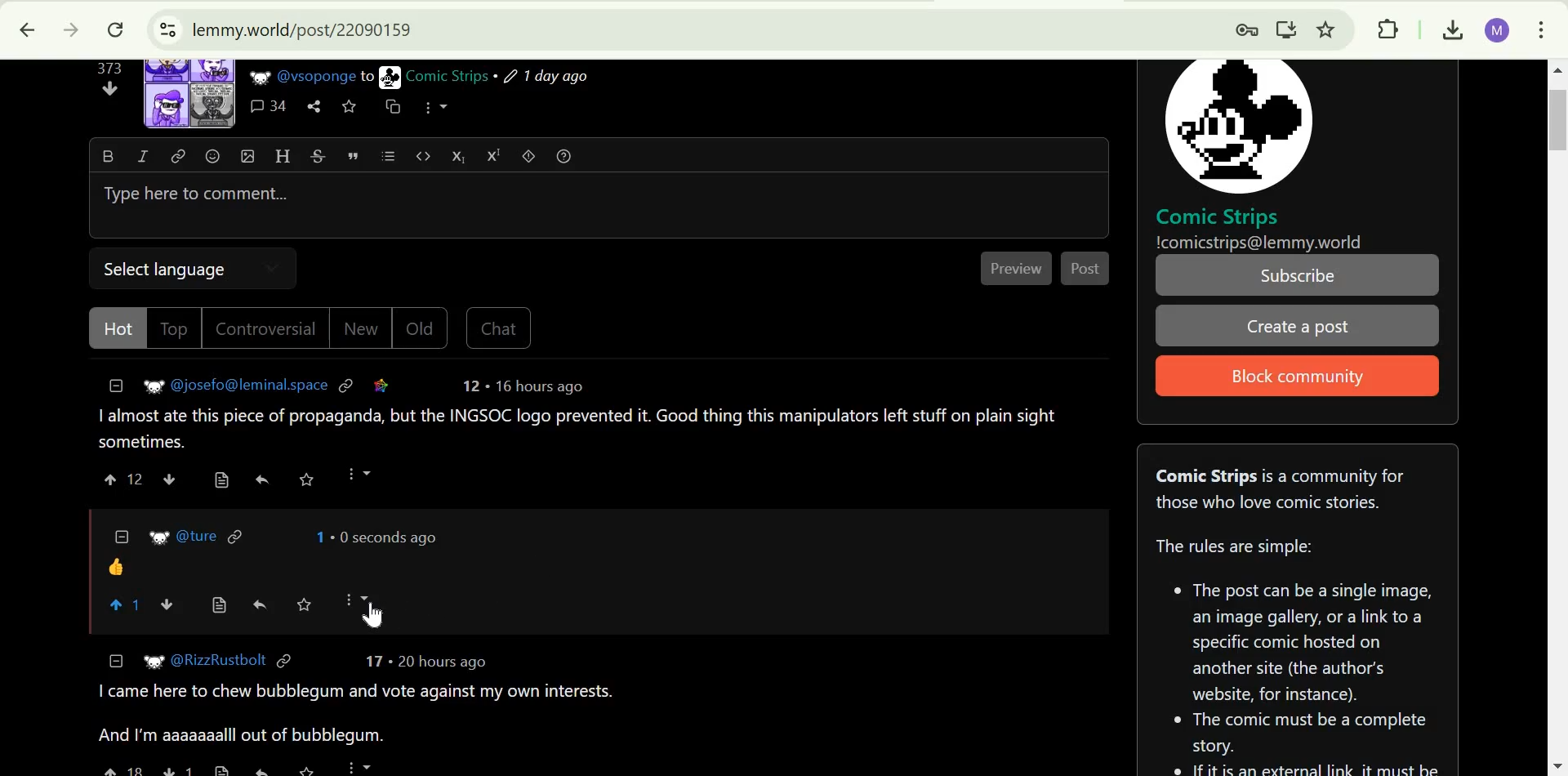  I want to click on cursor, so click(374, 617).